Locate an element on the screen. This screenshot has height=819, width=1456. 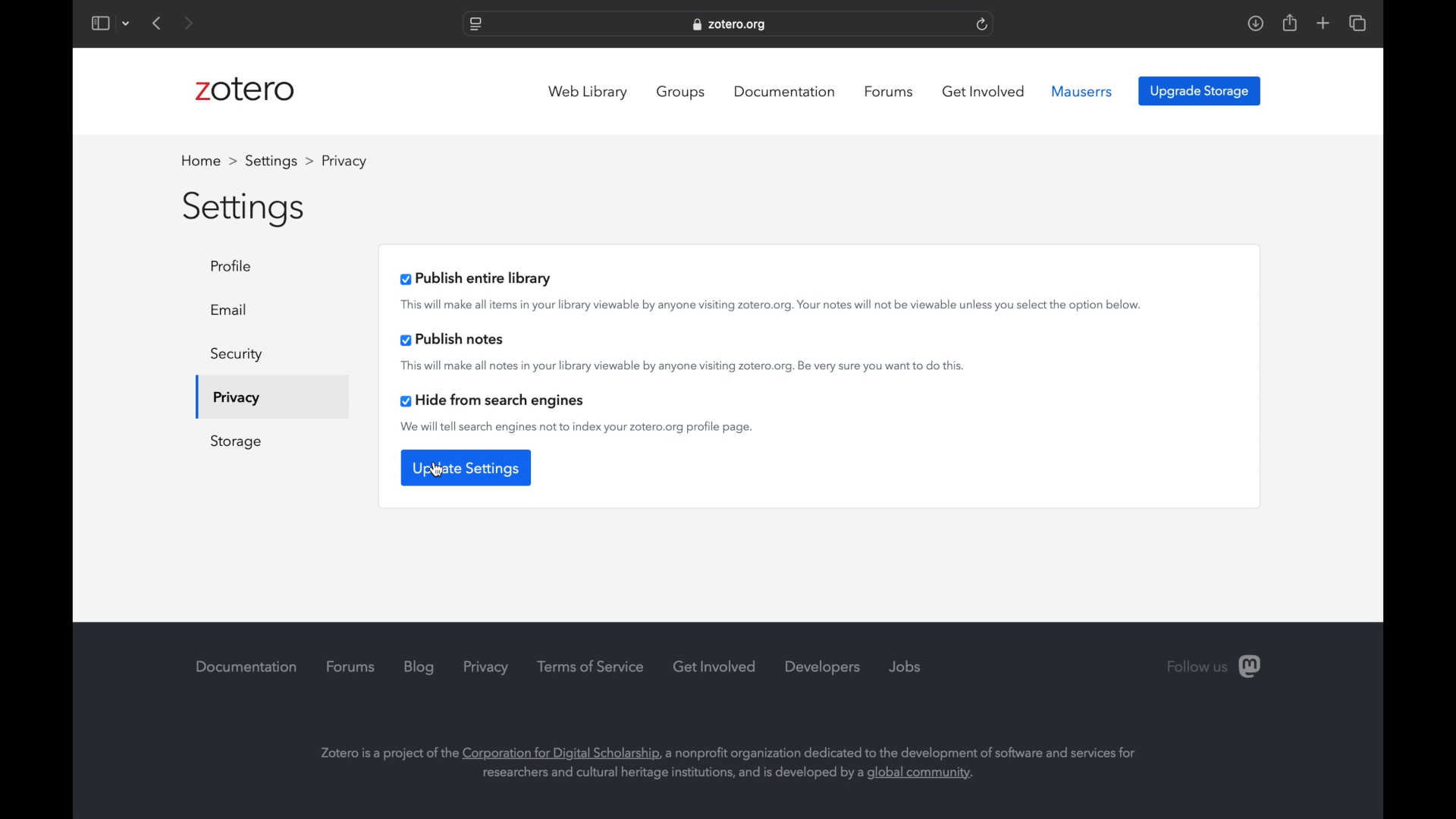
publish notes is located at coordinates (452, 340).